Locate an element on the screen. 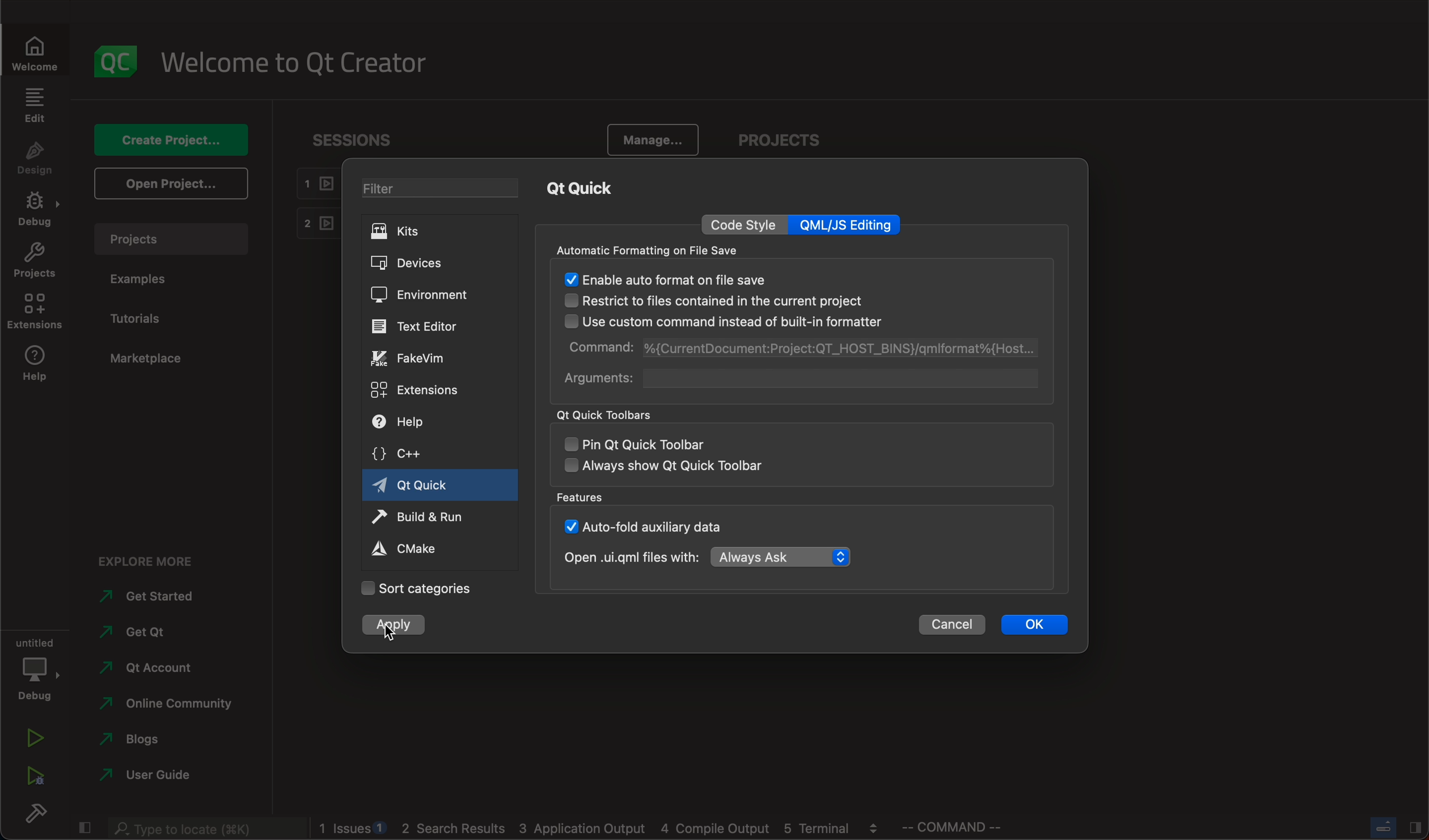 This screenshot has width=1429, height=840. design is located at coordinates (35, 159).